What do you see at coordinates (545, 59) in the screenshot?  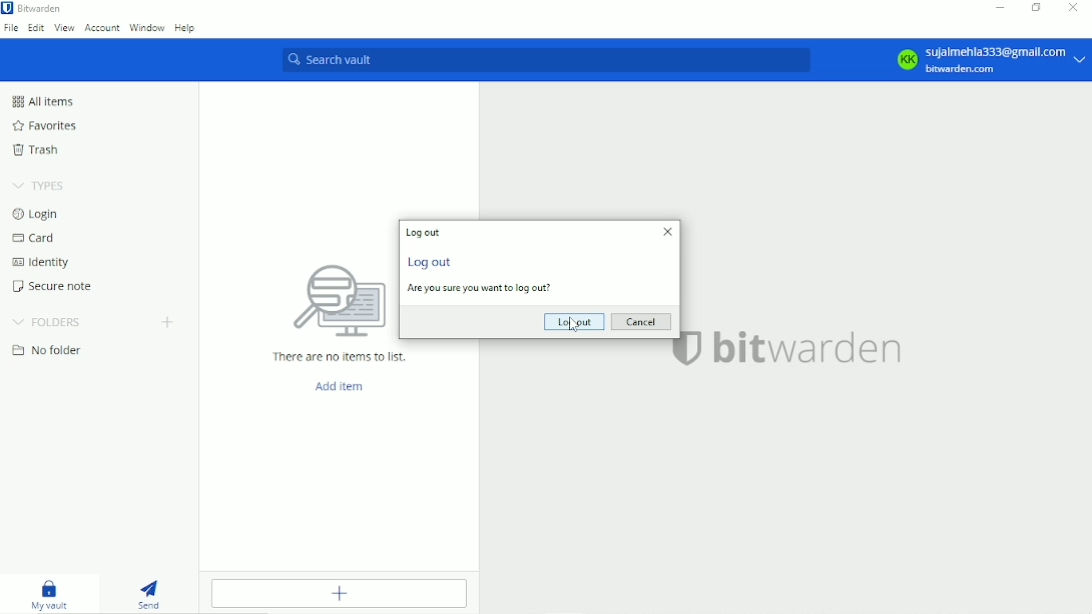 I see `Search vault` at bounding box center [545, 59].